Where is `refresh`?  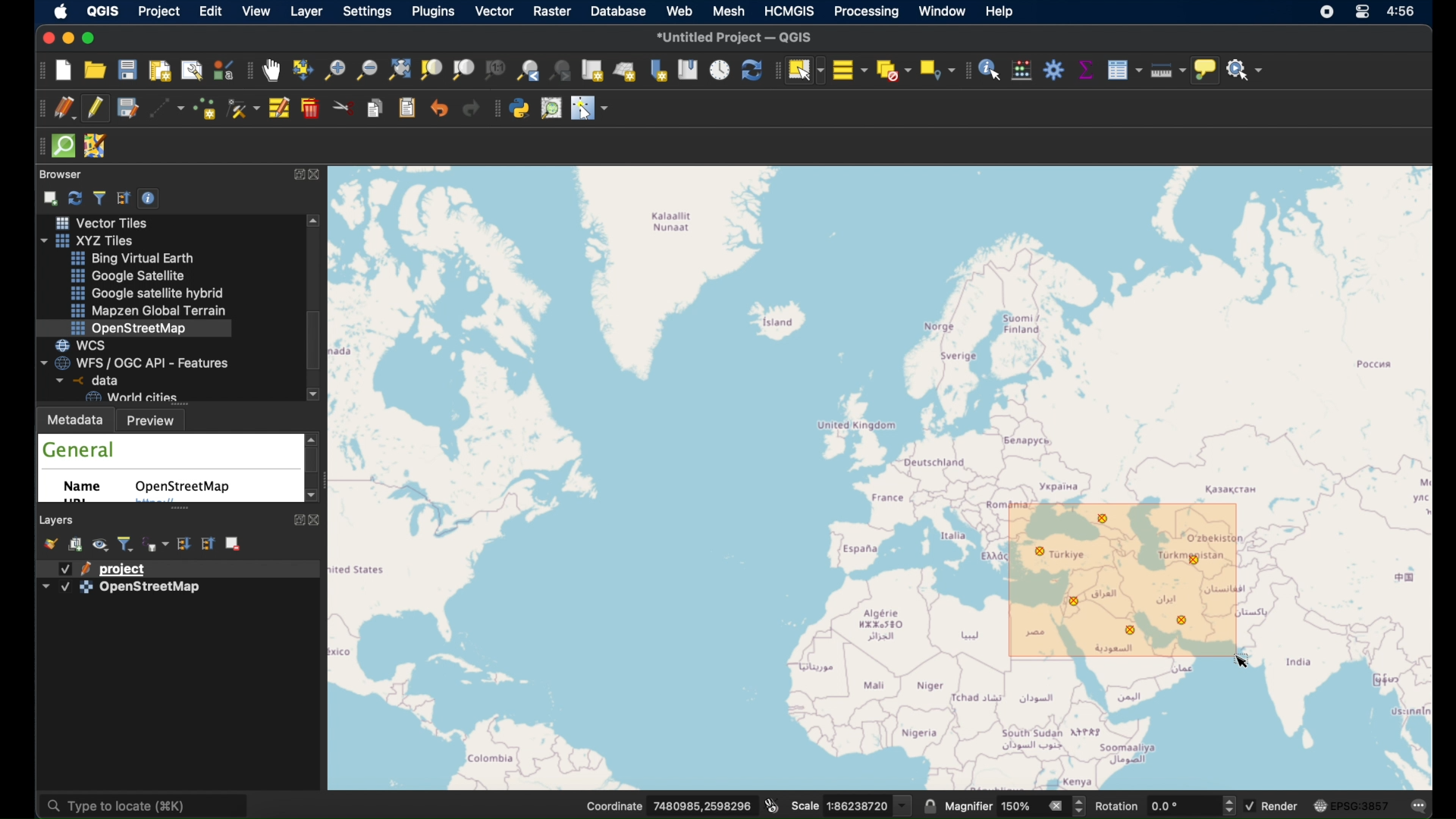
refresh is located at coordinates (750, 70).